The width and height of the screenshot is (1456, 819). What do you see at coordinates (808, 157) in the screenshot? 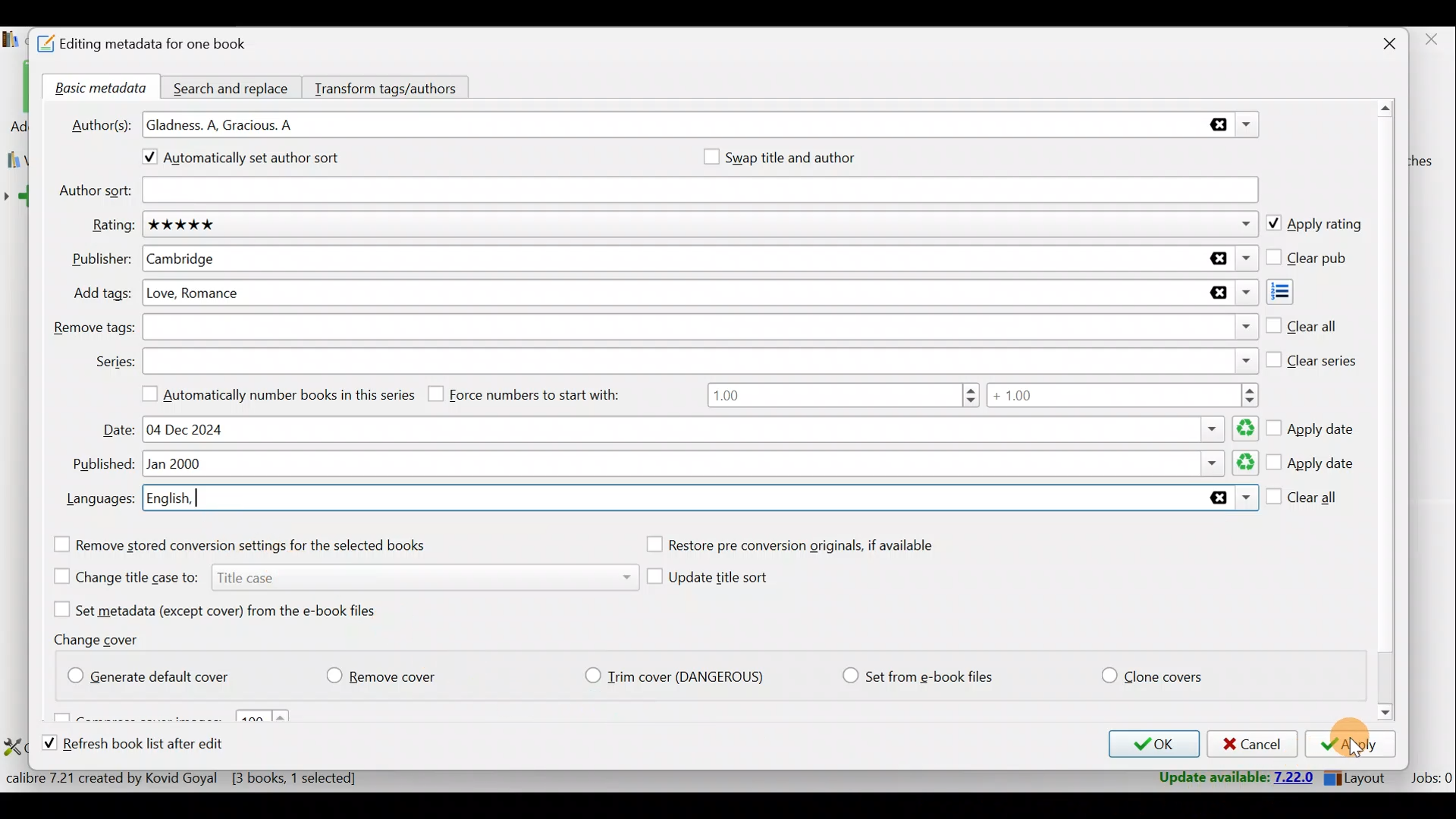
I see `Swap title and author` at bounding box center [808, 157].